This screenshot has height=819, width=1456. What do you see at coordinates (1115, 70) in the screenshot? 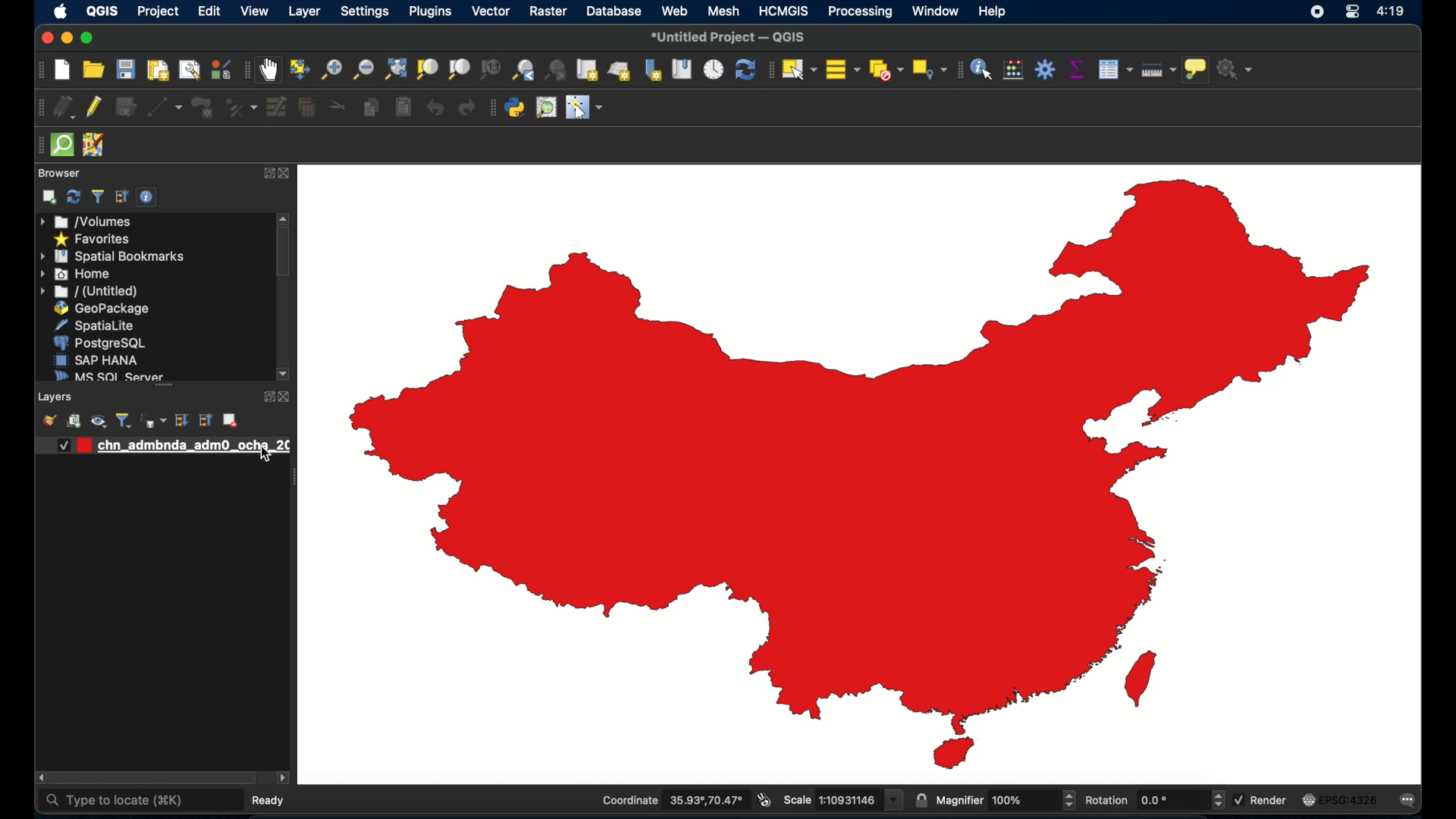
I see `open attributes table` at bounding box center [1115, 70].